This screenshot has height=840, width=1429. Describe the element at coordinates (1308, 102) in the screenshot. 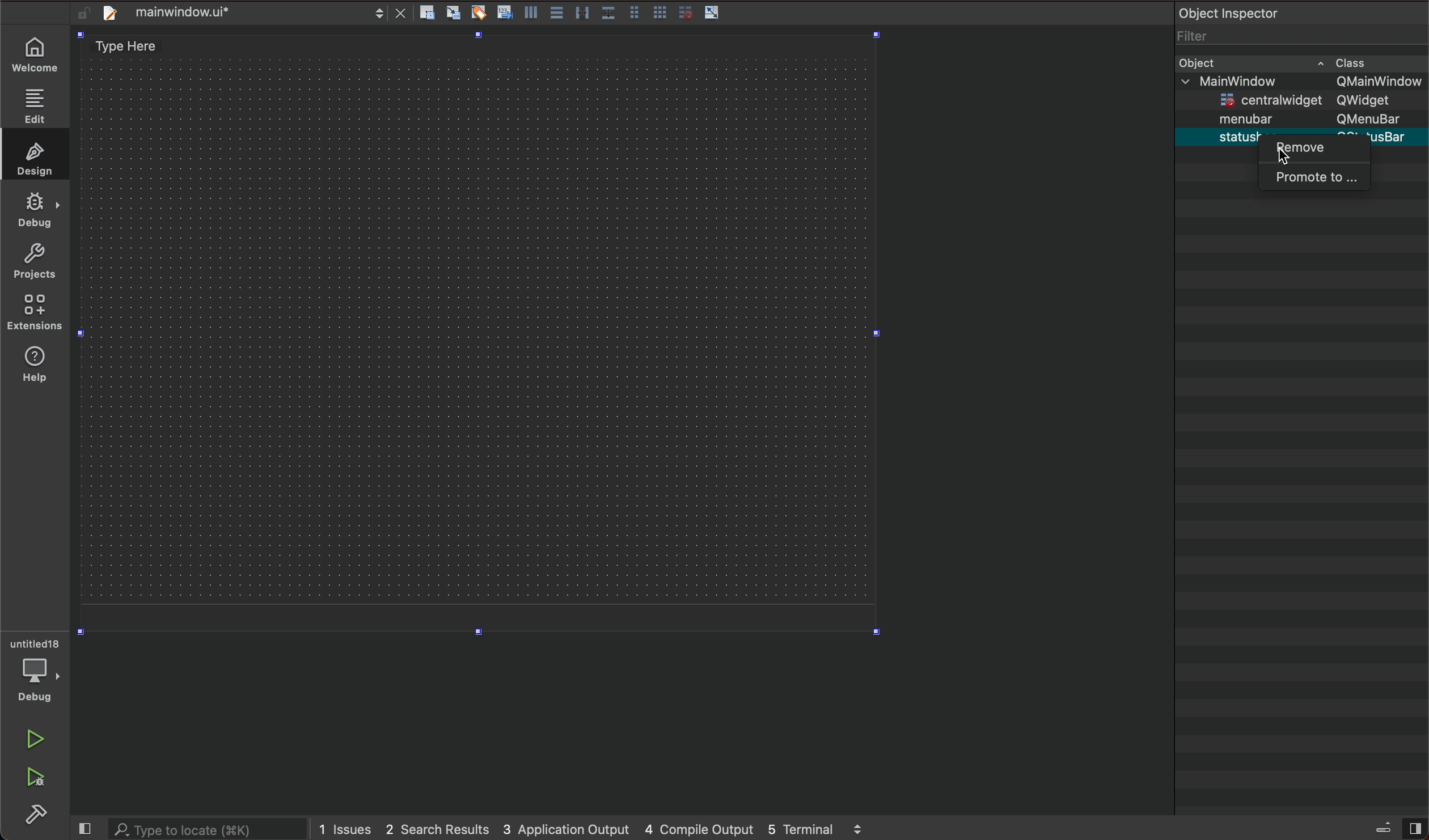

I see `centrawidget Qwidget` at that location.